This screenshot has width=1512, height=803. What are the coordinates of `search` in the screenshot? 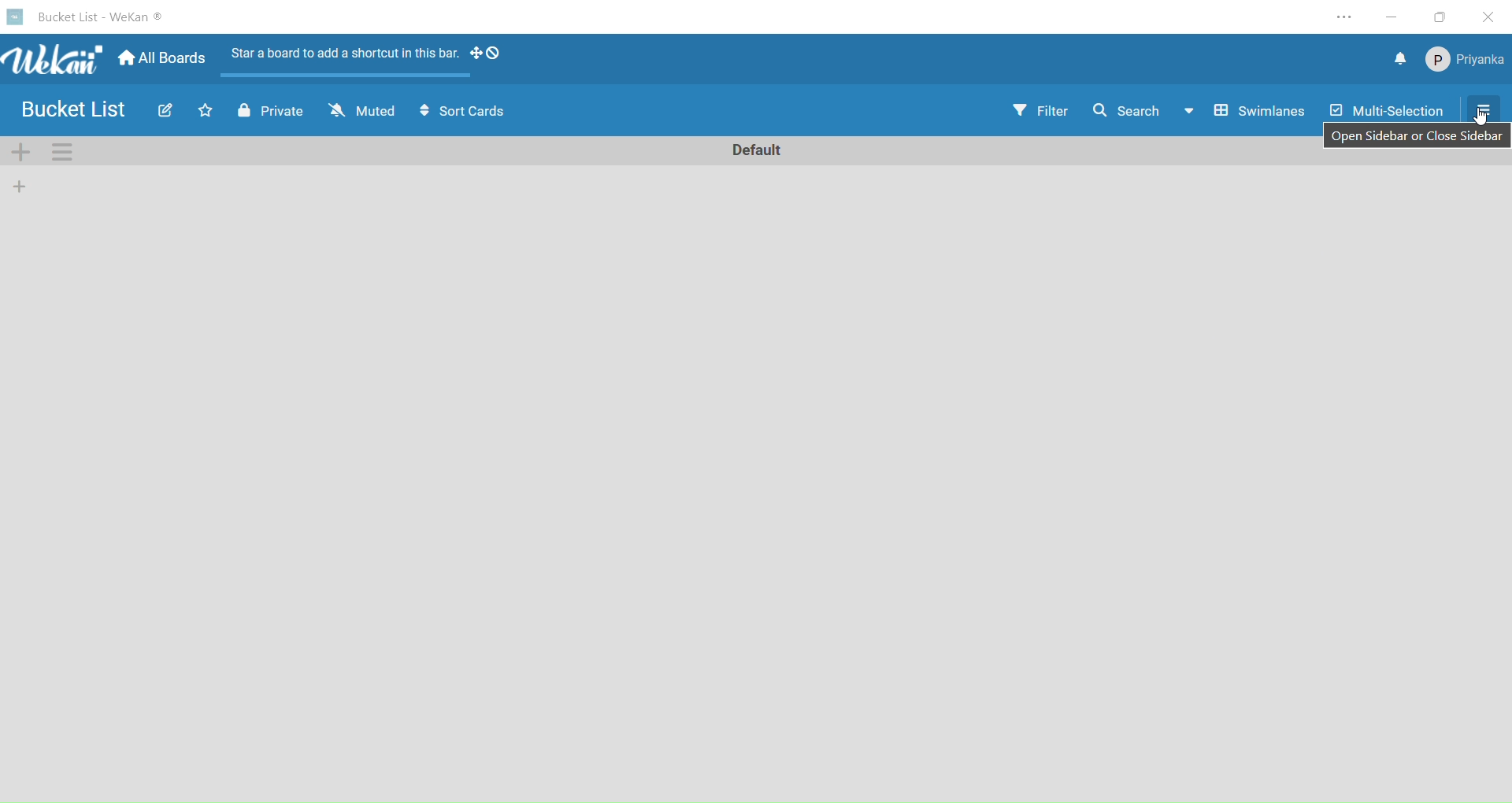 It's located at (1126, 113).